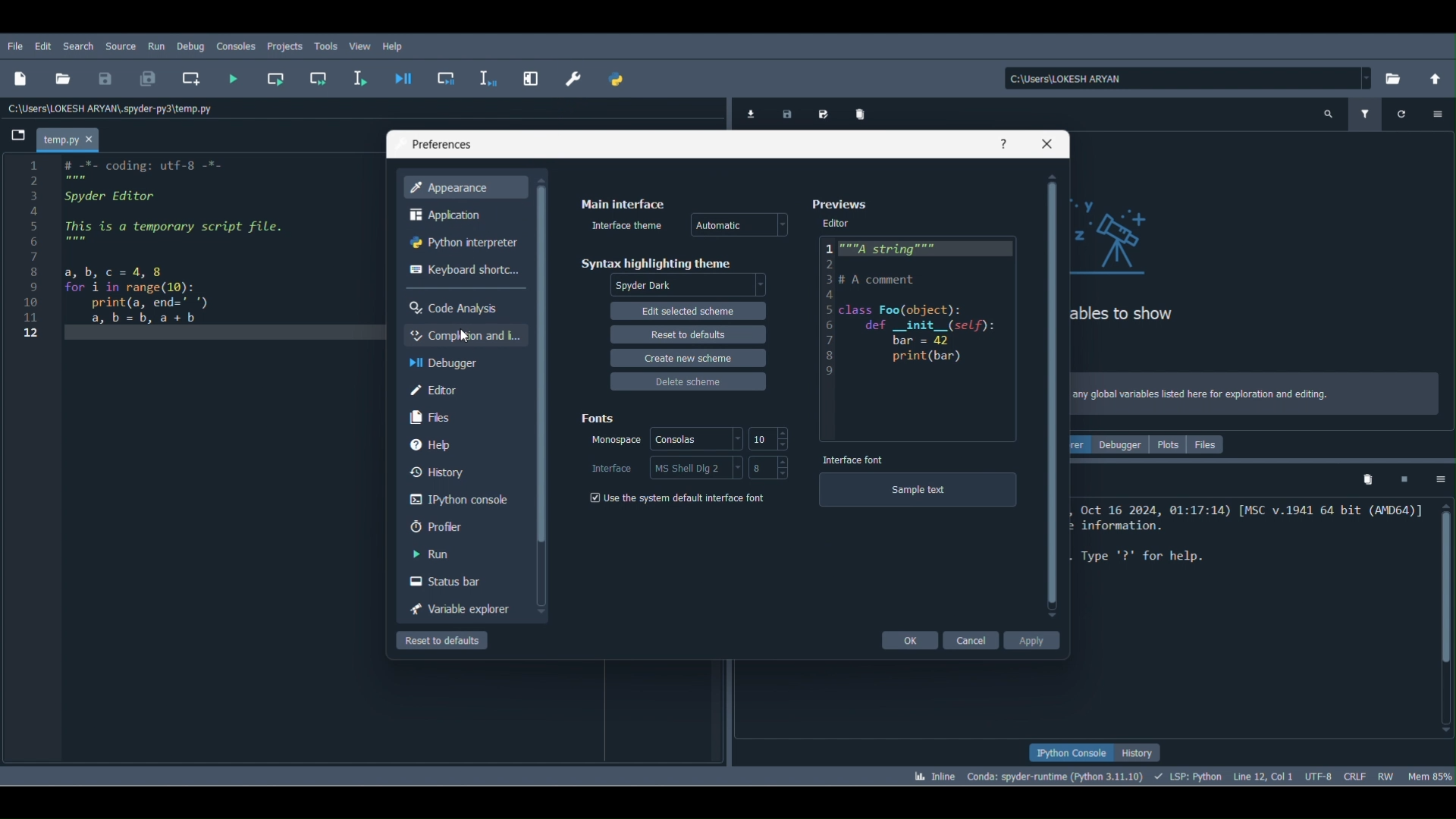 The width and height of the screenshot is (1456, 819). Describe the element at coordinates (72, 135) in the screenshot. I see `File name` at that location.